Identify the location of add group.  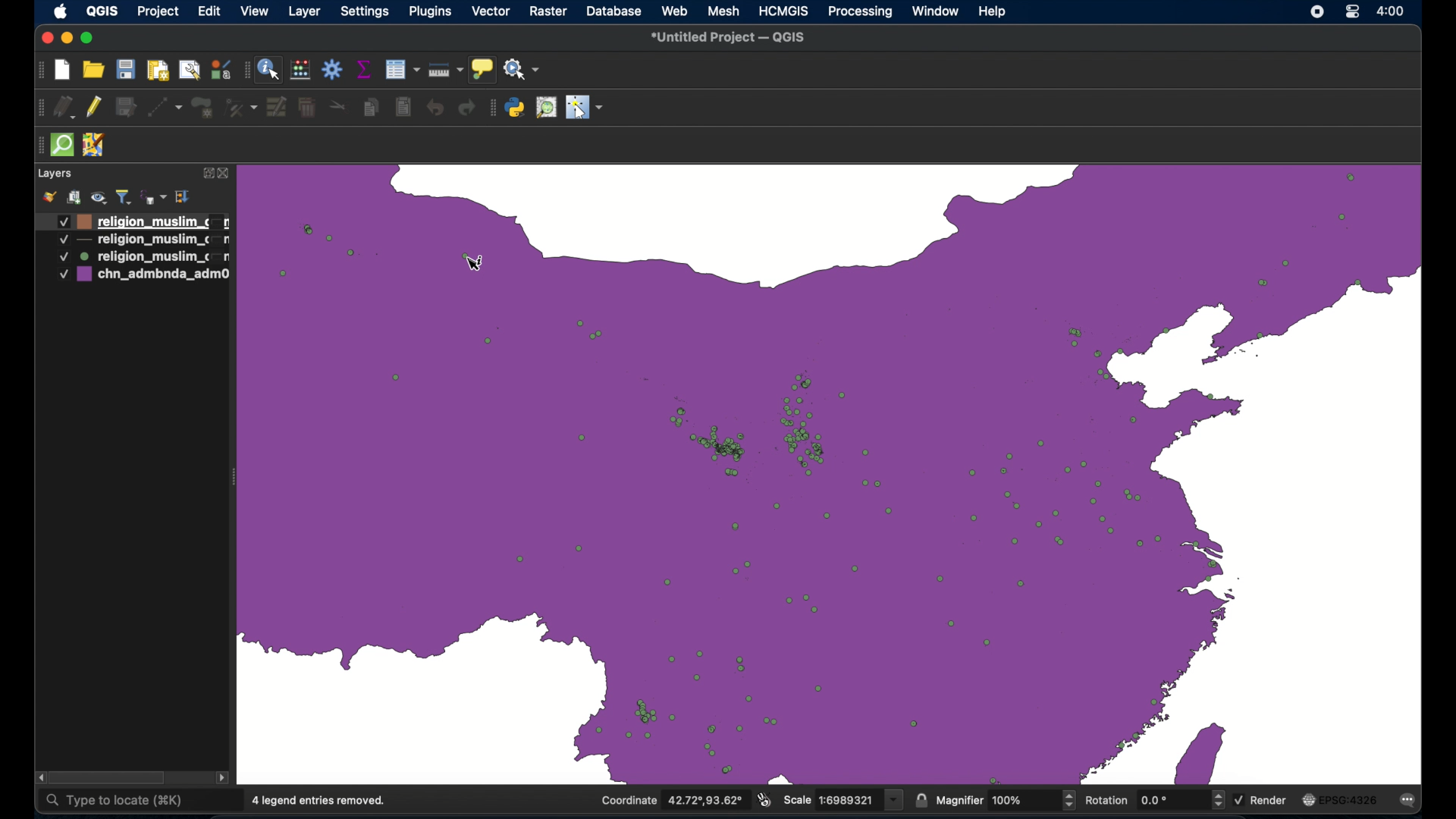
(74, 196).